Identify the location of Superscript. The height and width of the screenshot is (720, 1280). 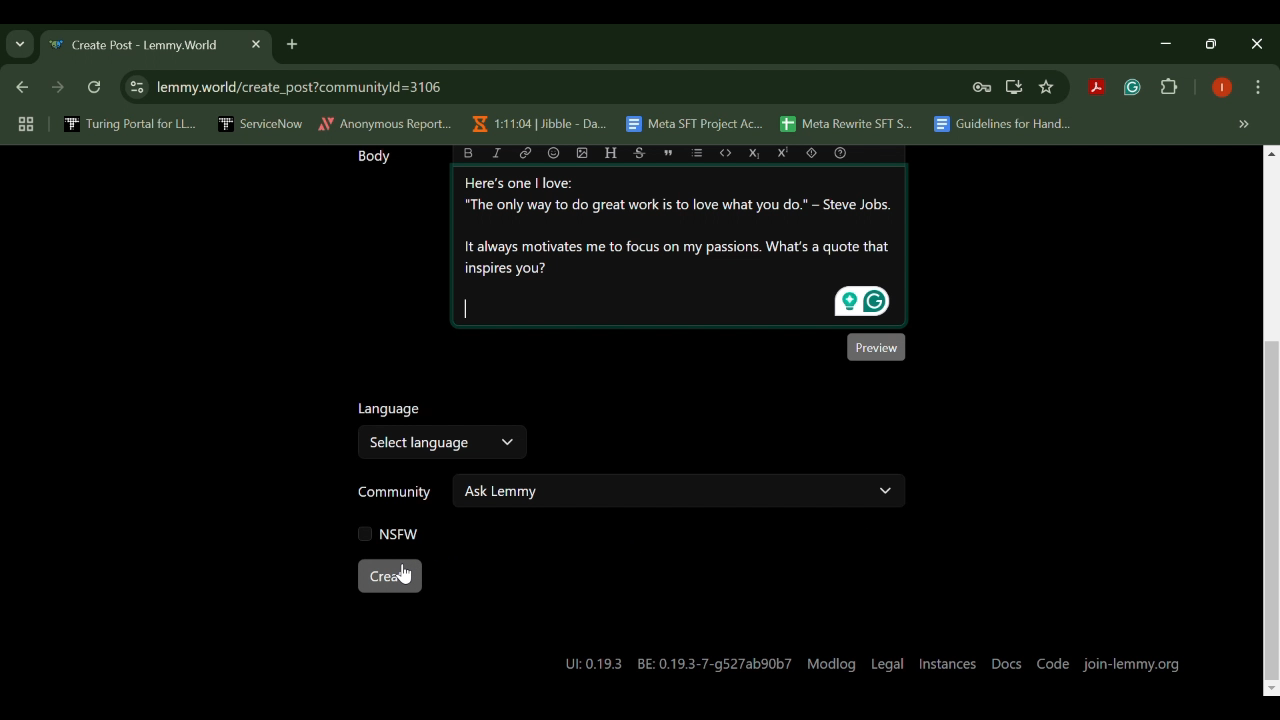
(786, 153).